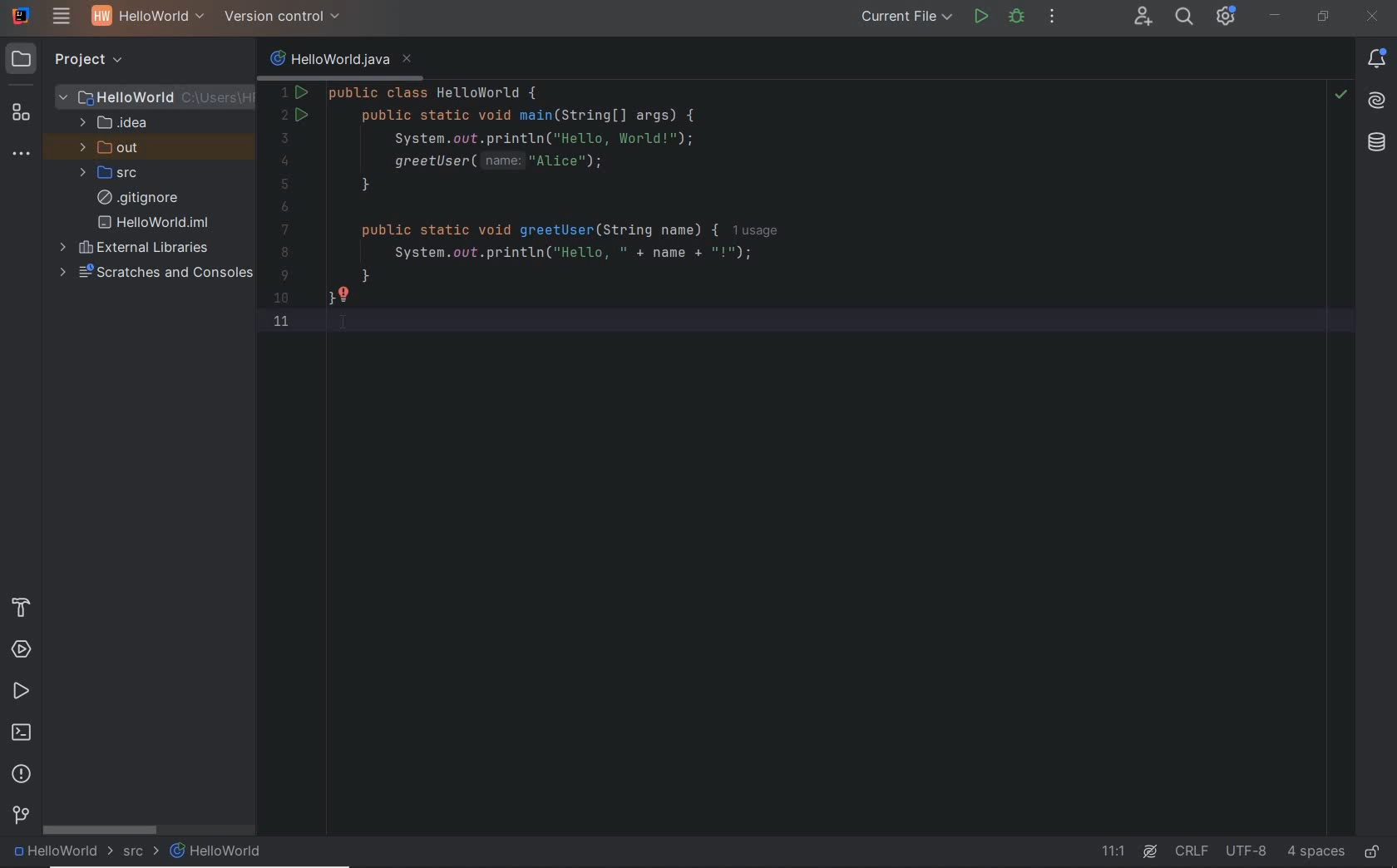  I want to click on more tool windows, so click(23, 155).